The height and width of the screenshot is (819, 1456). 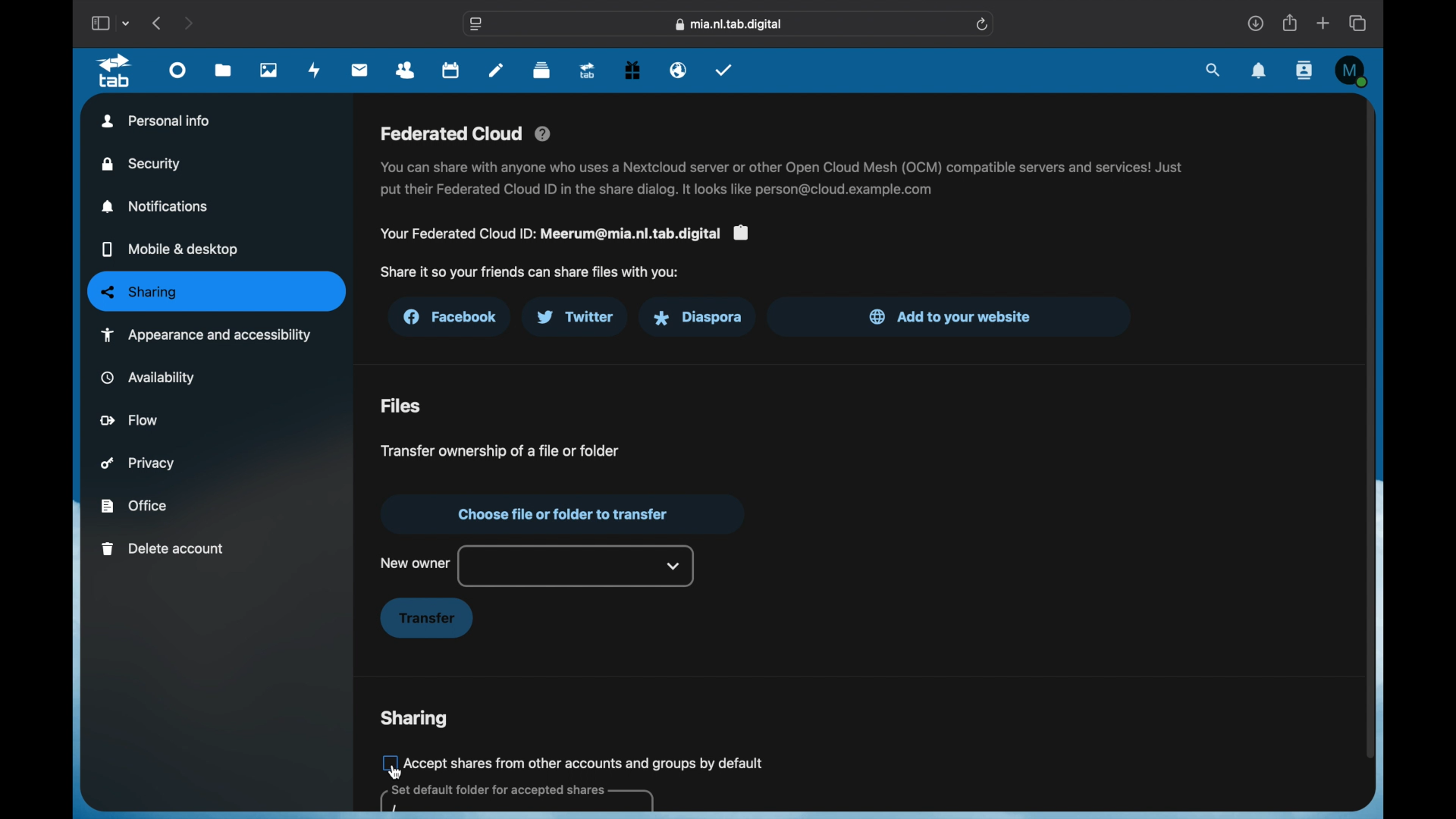 I want to click on previous, so click(x=158, y=23).